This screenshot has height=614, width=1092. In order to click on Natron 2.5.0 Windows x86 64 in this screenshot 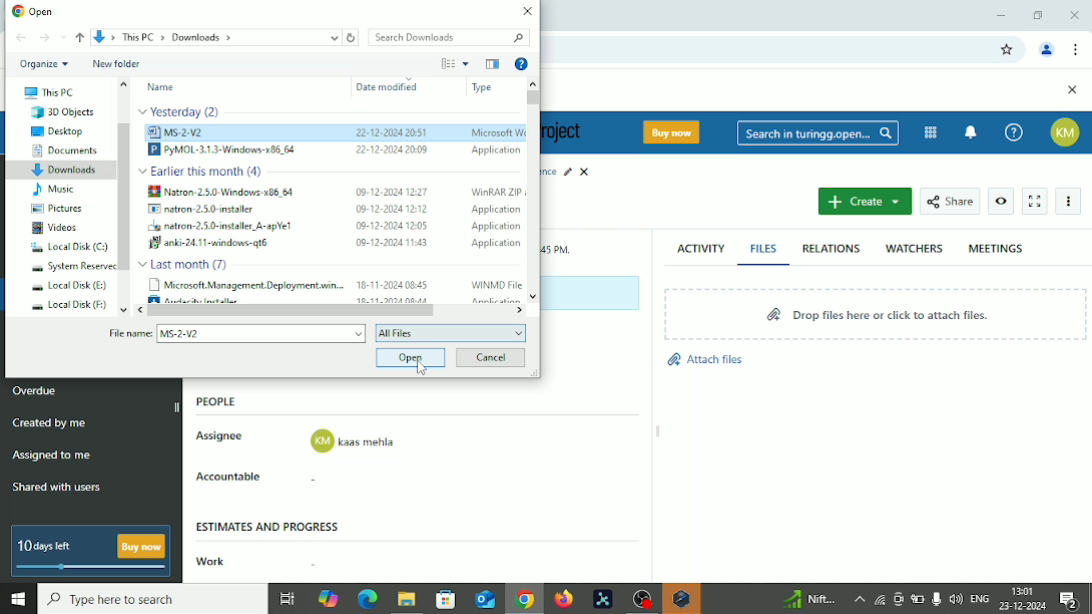, I will do `click(220, 192)`.